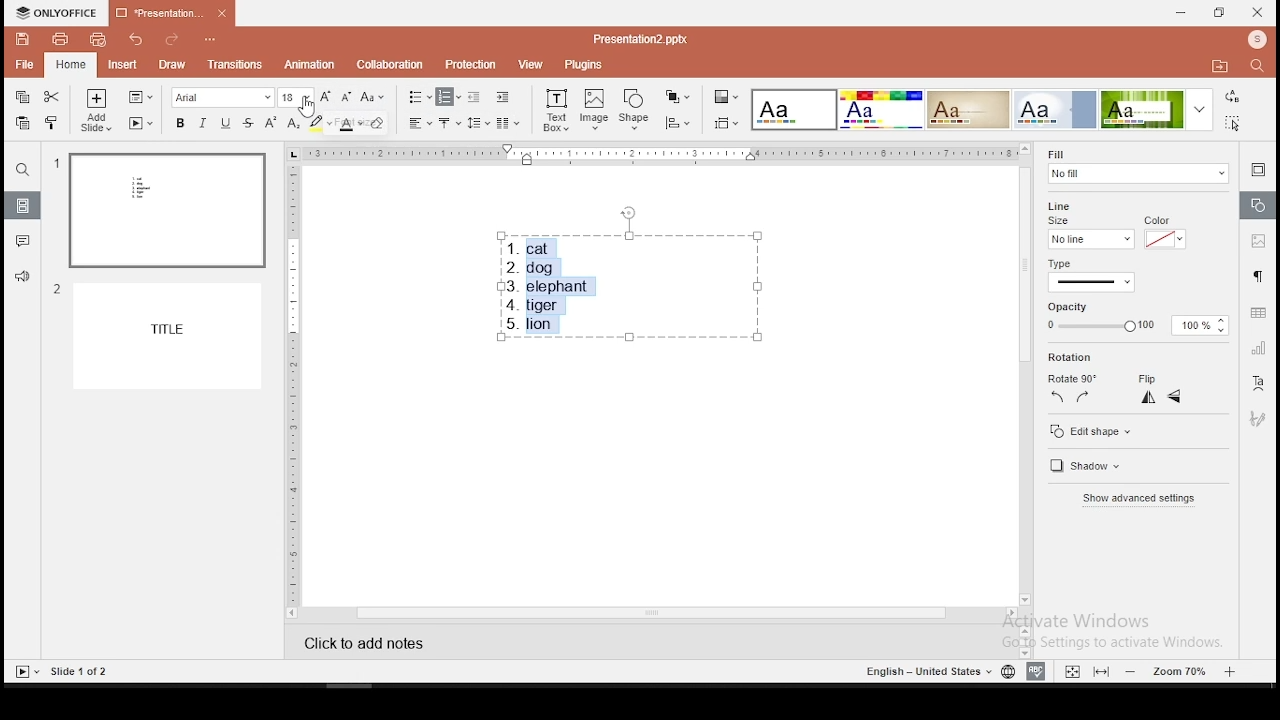  I want to click on fit to width, so click(1069, 670).